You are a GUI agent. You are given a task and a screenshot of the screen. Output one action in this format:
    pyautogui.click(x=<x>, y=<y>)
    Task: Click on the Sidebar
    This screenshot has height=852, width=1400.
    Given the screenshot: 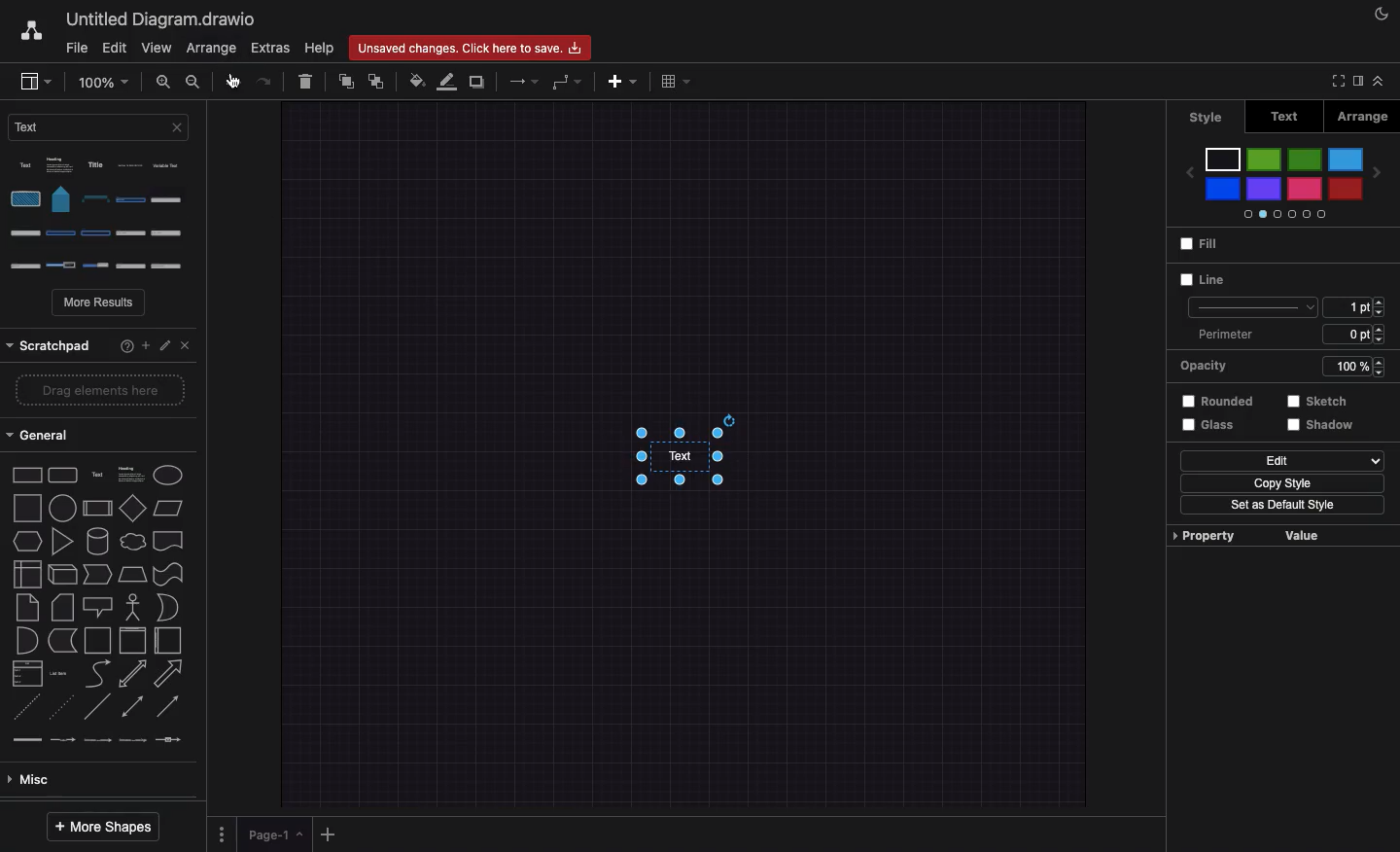 What is the action you would take?
    pyautogui.click(x=35, y=83)
    